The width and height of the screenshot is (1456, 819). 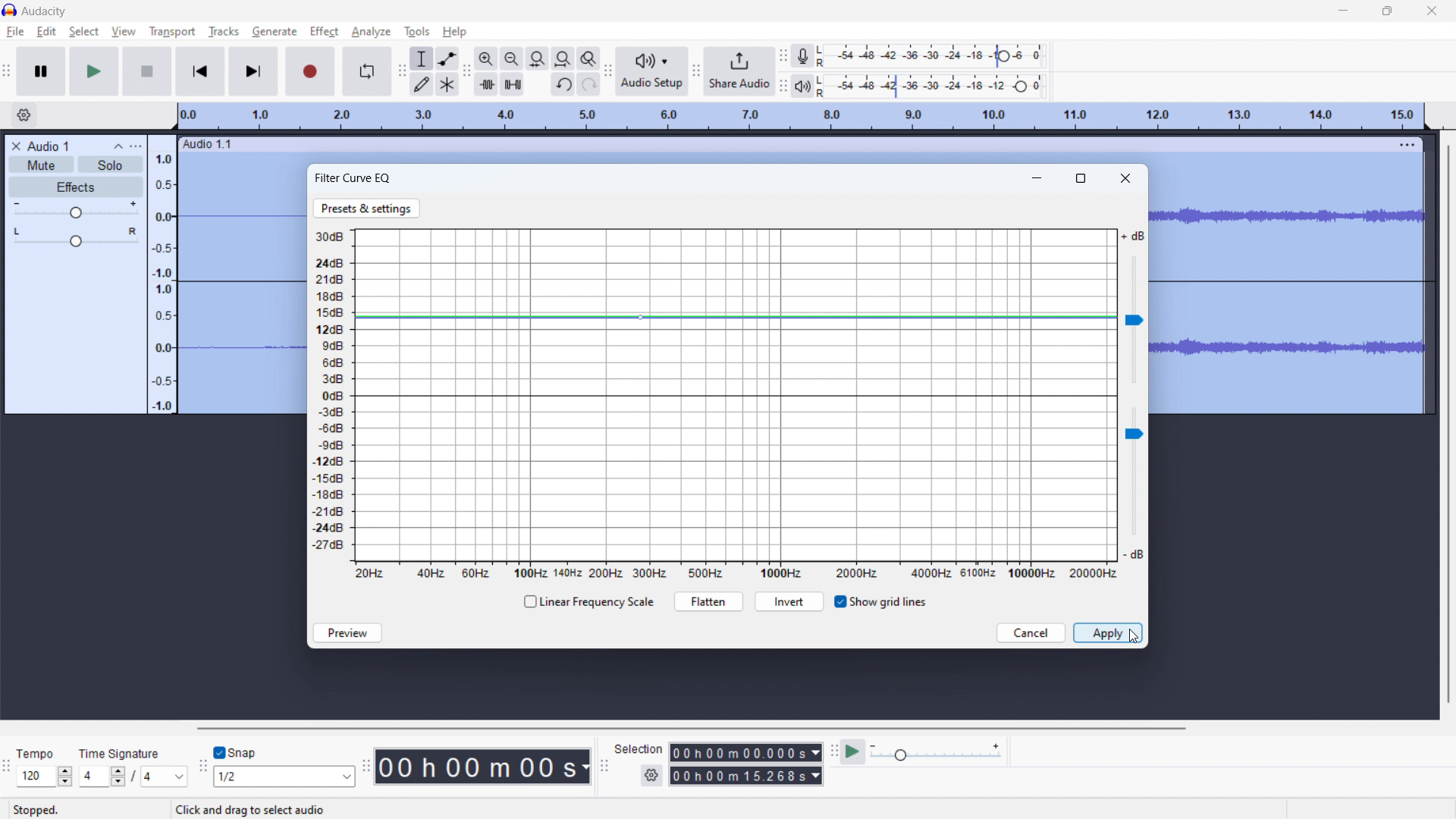 What do you see at coordinates (807, 55) in the screenshot?
I see `recording meter` at bounding box center [807, 55].